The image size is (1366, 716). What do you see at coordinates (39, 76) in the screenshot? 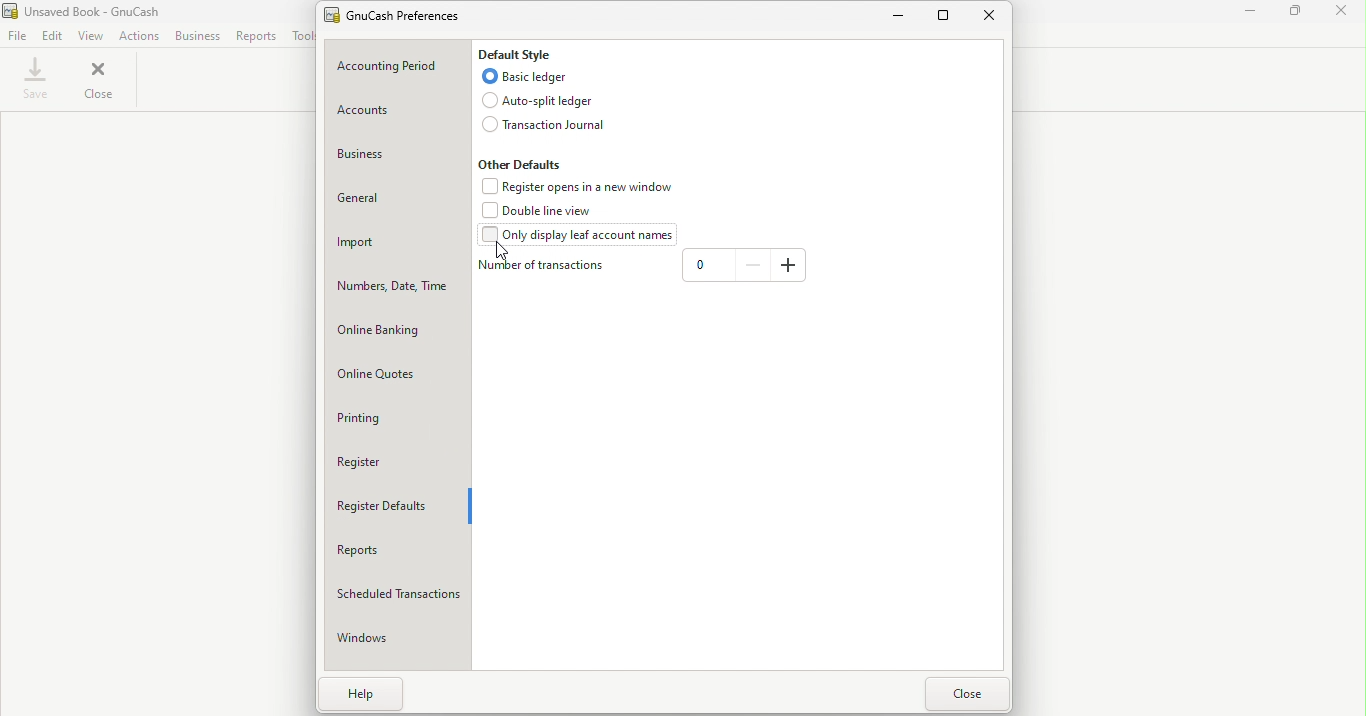
I see `Save` at bounding box center [39, 76].